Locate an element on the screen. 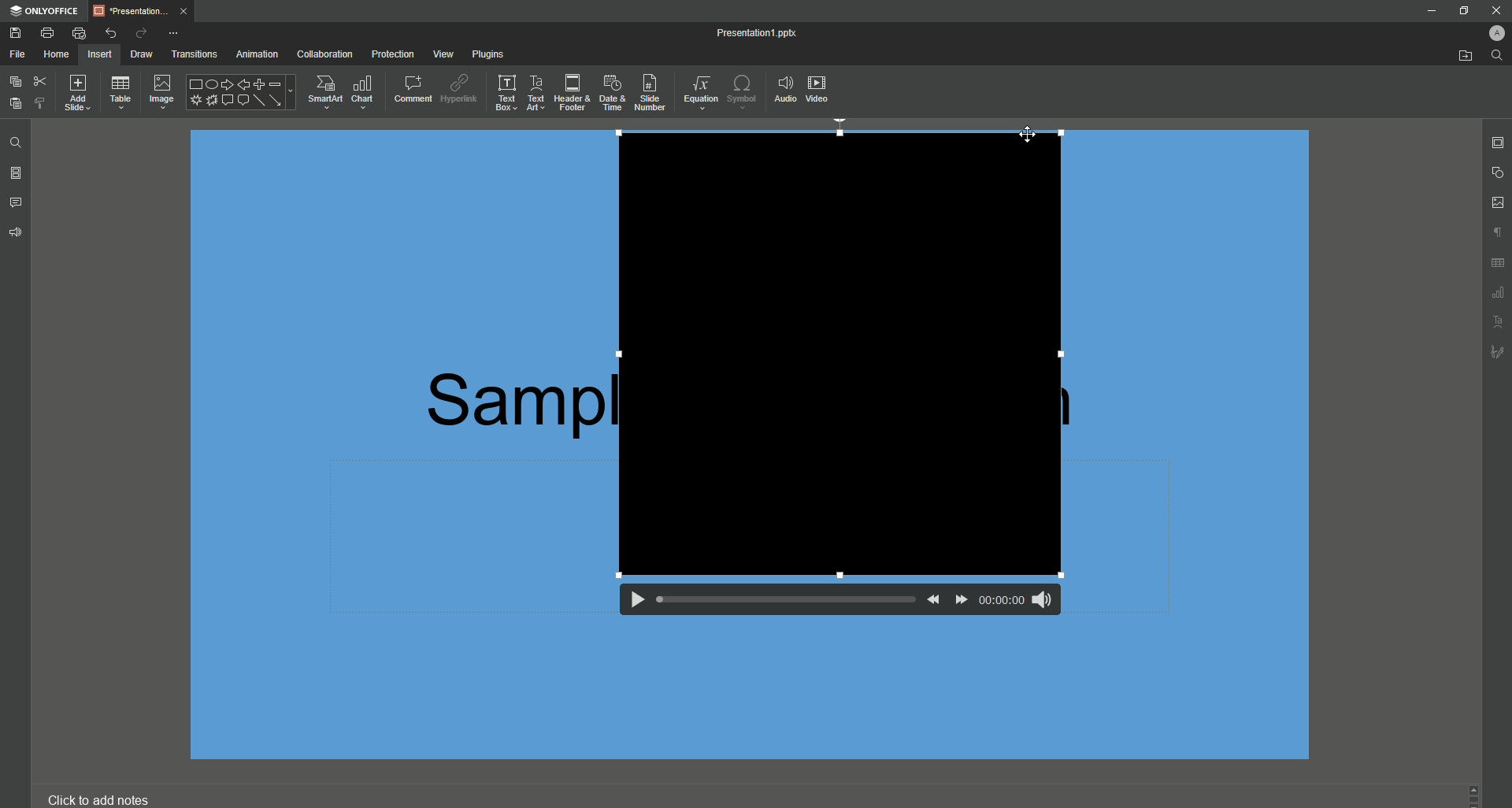 This screenshot has width=1512, height=808. Text Box is located at coordinates (503, 92).